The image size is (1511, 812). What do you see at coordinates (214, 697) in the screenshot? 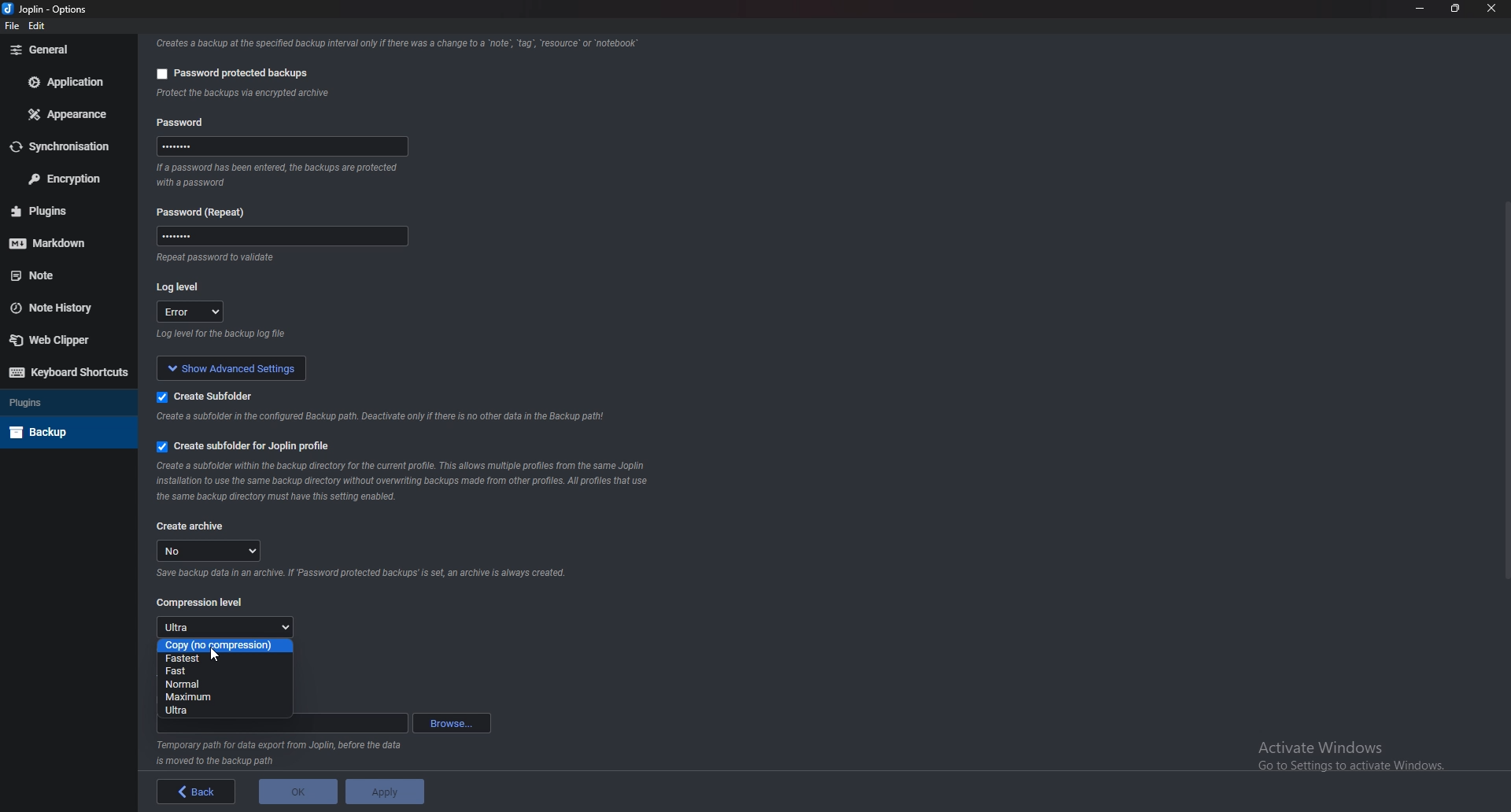
I see `Maximum` at bounding box center [214, 697].